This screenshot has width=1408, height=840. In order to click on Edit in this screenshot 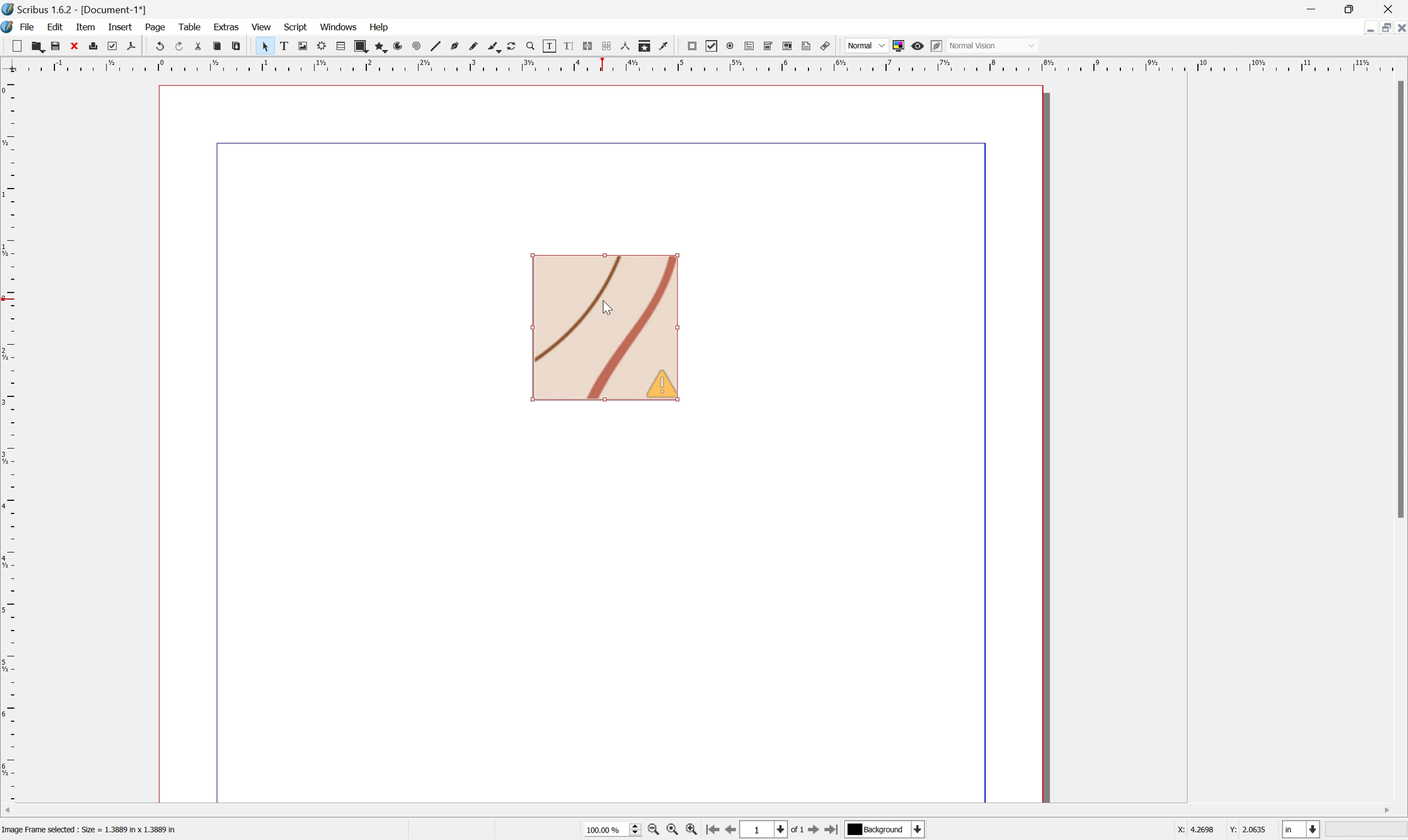, I will do `click(56, 27)`.